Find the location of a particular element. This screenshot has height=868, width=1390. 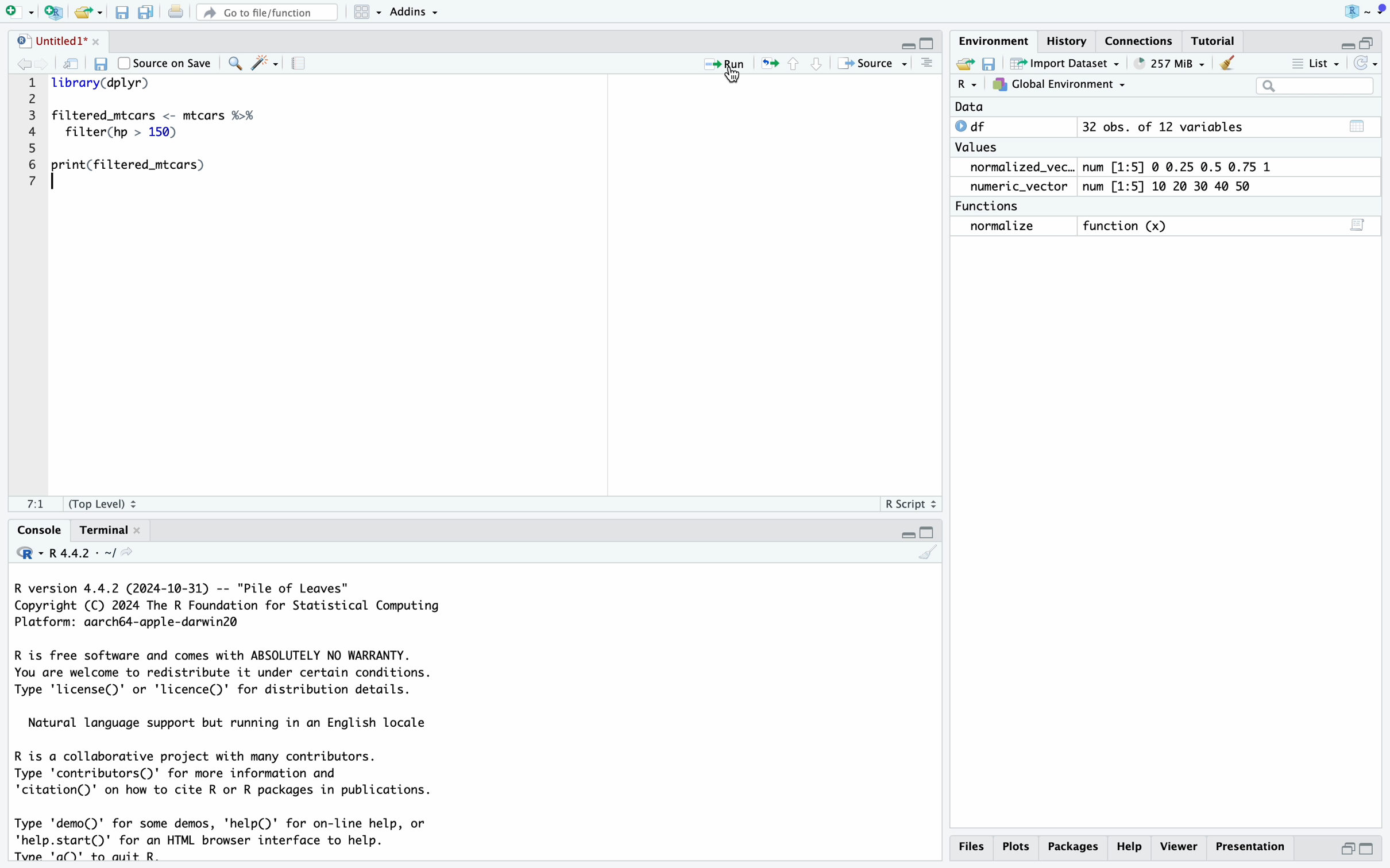

Packages is located at coordinates (1128, 847).